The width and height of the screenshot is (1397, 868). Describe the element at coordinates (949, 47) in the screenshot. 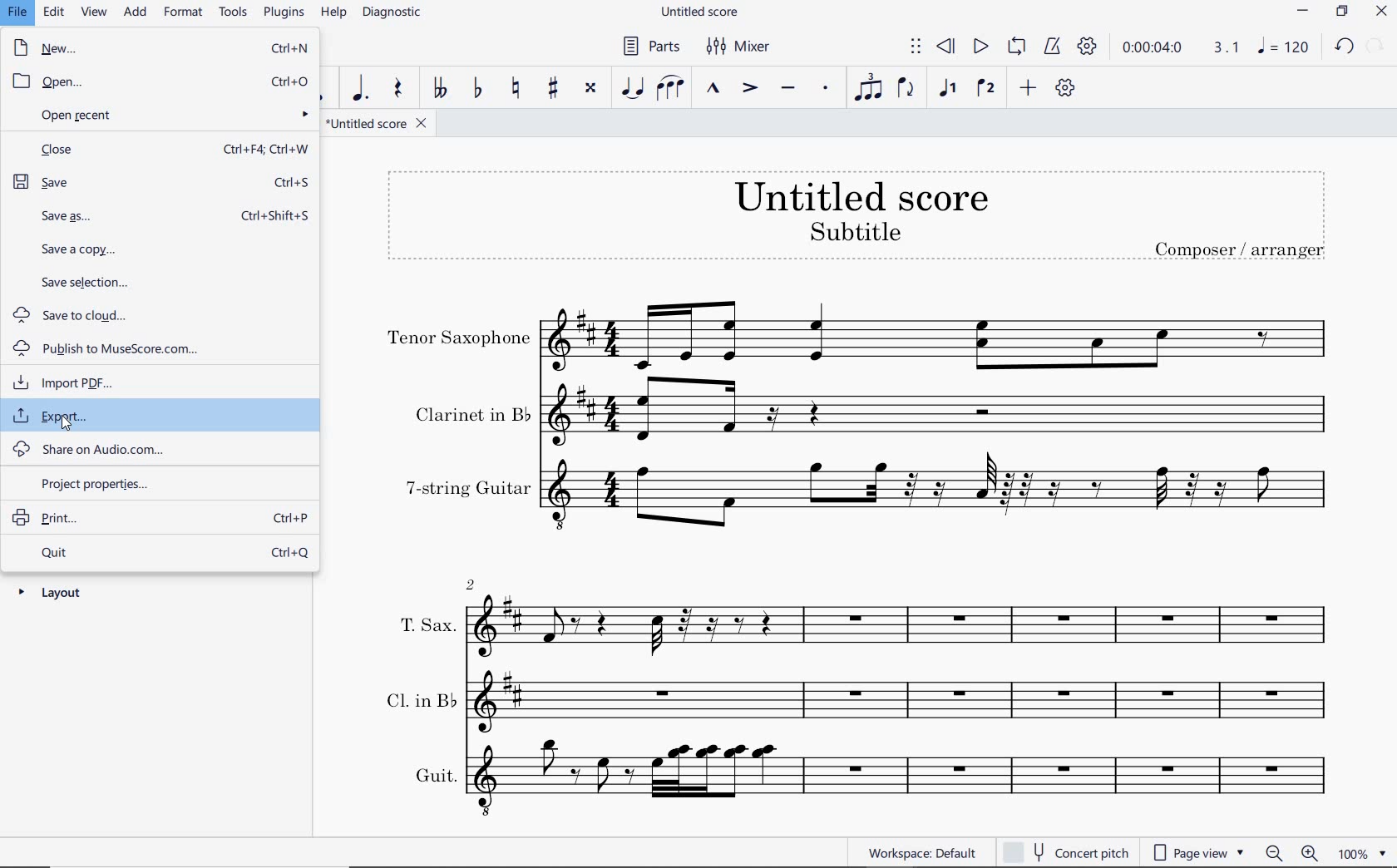

I see `REWIND` at that location.